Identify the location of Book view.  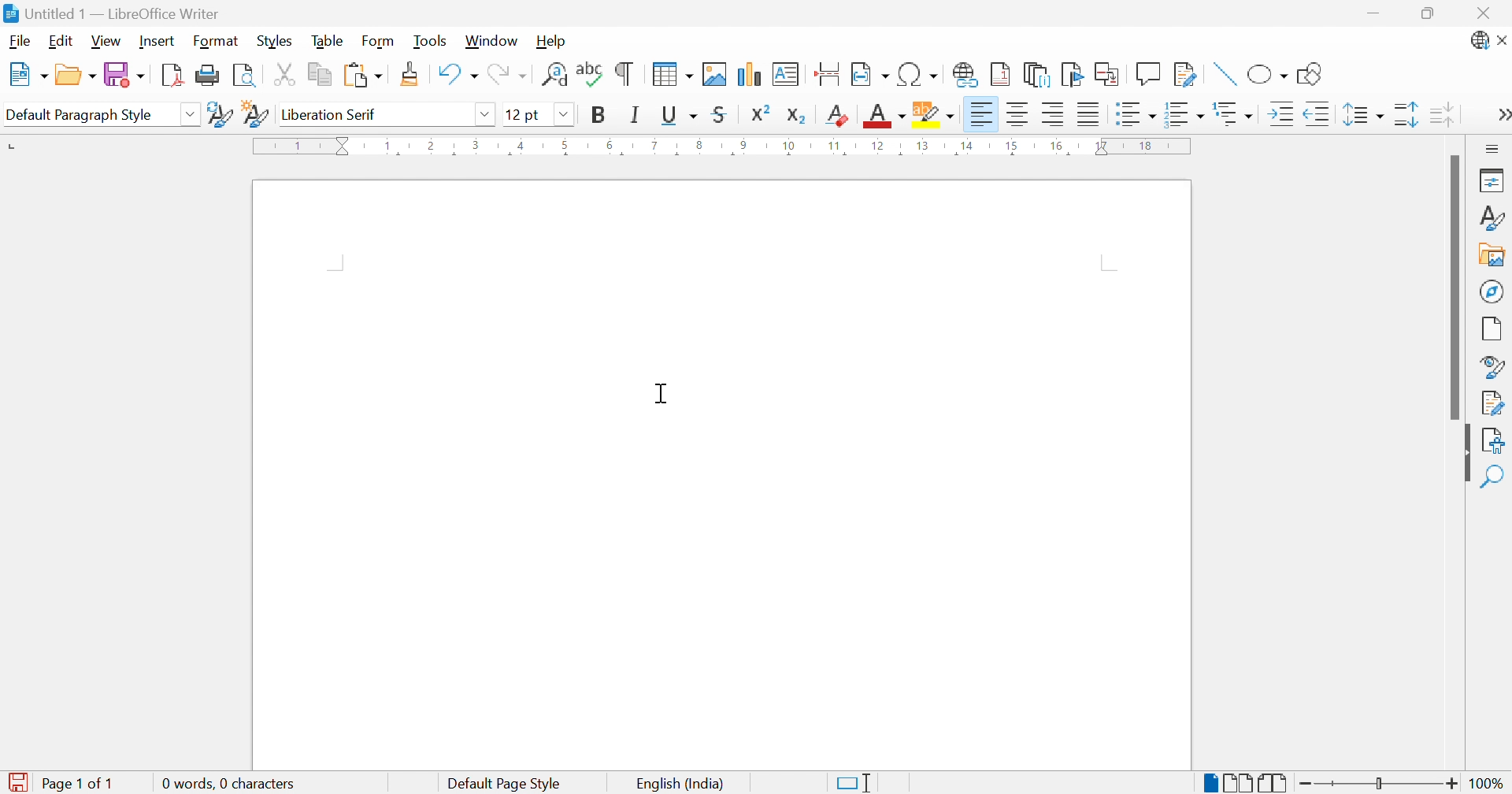
(1273, 783).